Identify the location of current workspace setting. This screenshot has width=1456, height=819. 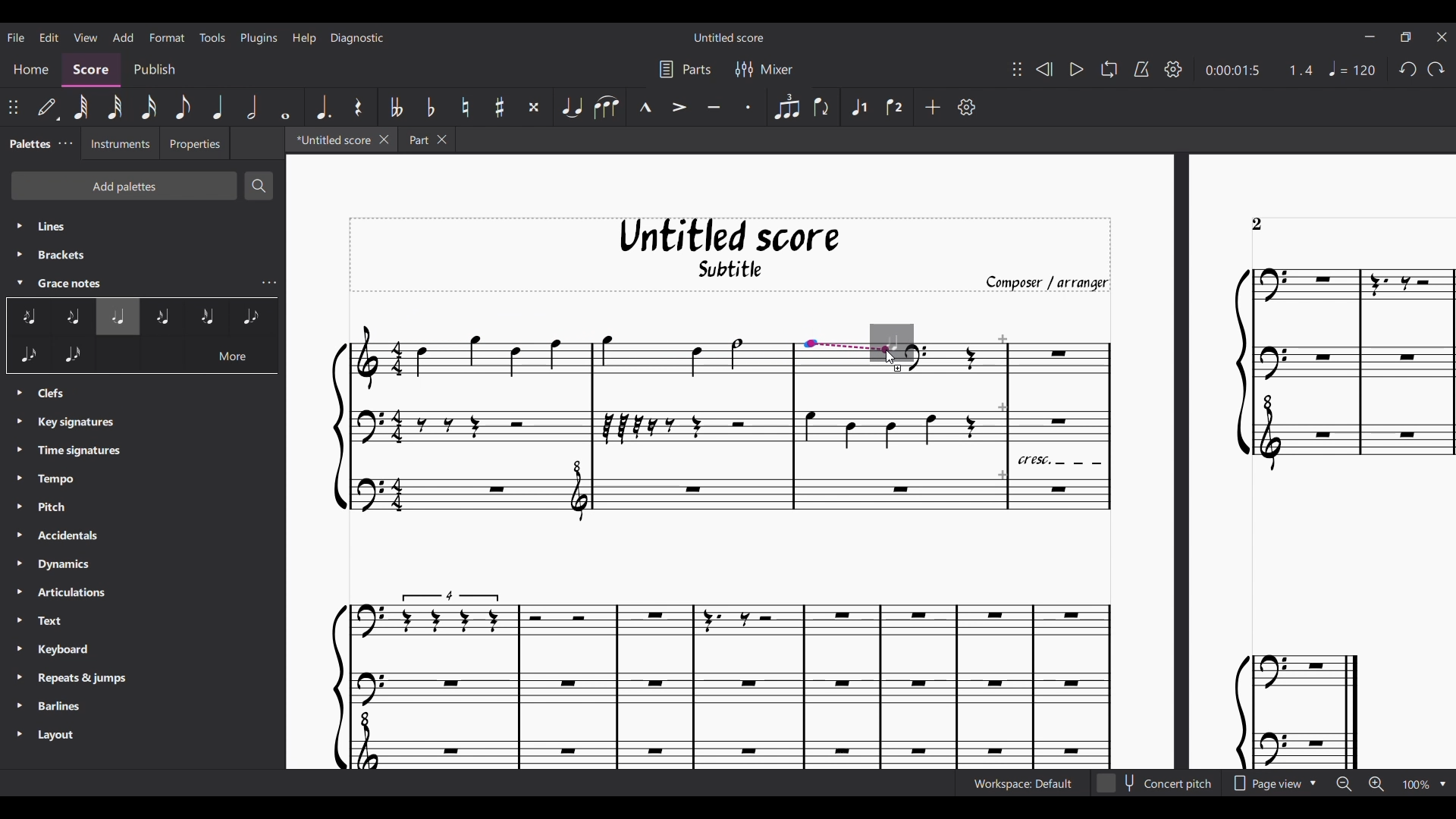
(1018, 787).